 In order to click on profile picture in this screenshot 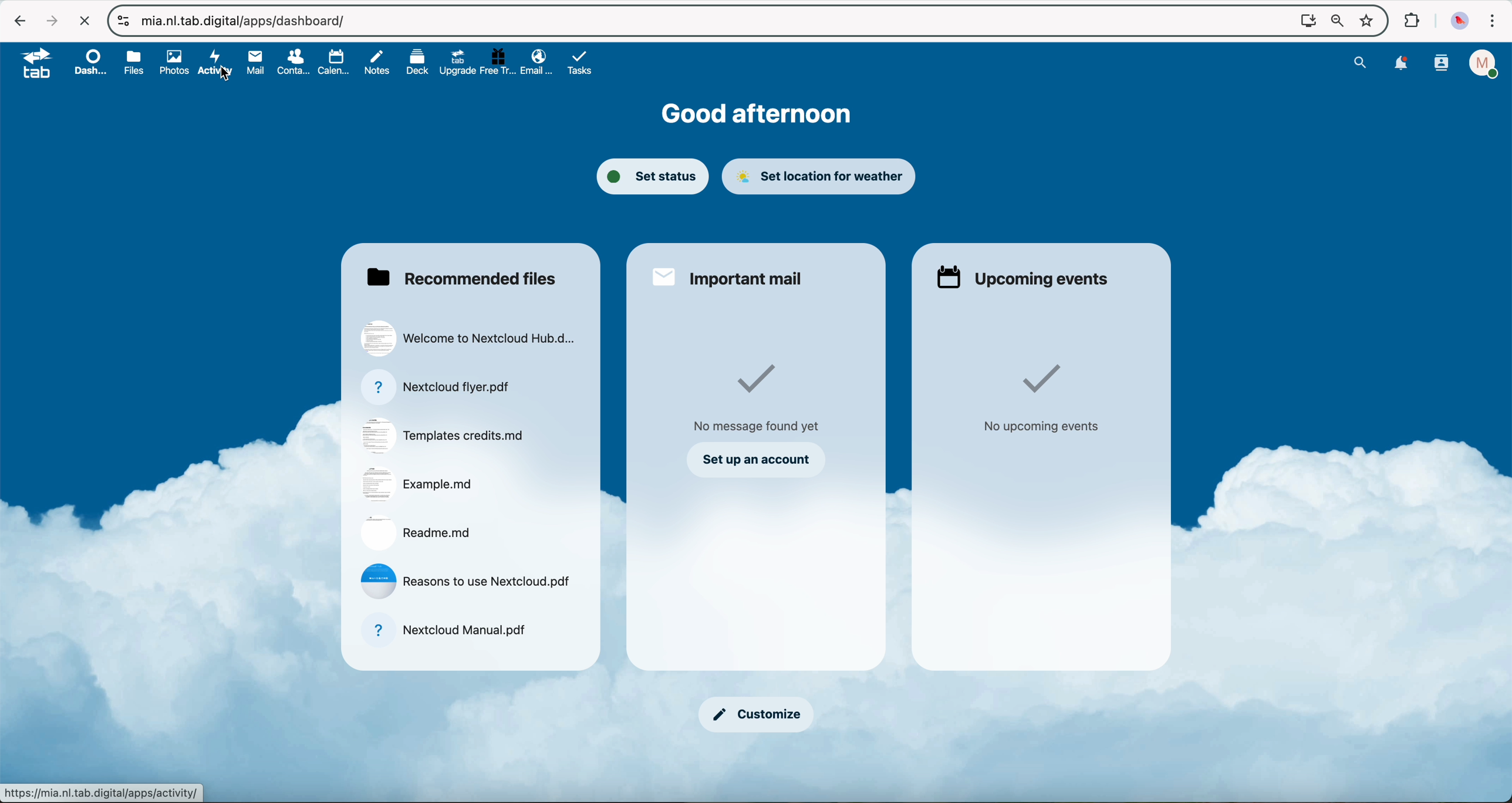, I will do `click(1461, 22)`.